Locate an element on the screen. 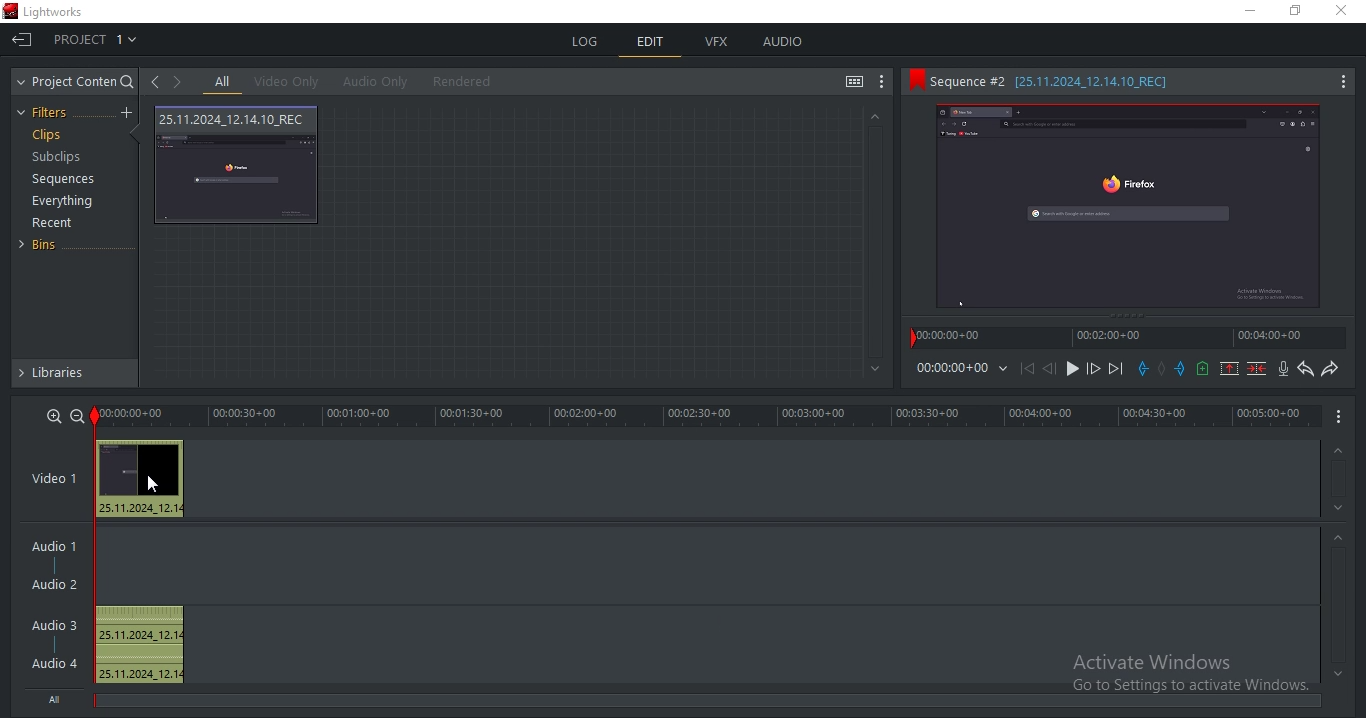 The height and width of the screenshot is (718, 1366). zoom out is located at coordinates (75, 415).